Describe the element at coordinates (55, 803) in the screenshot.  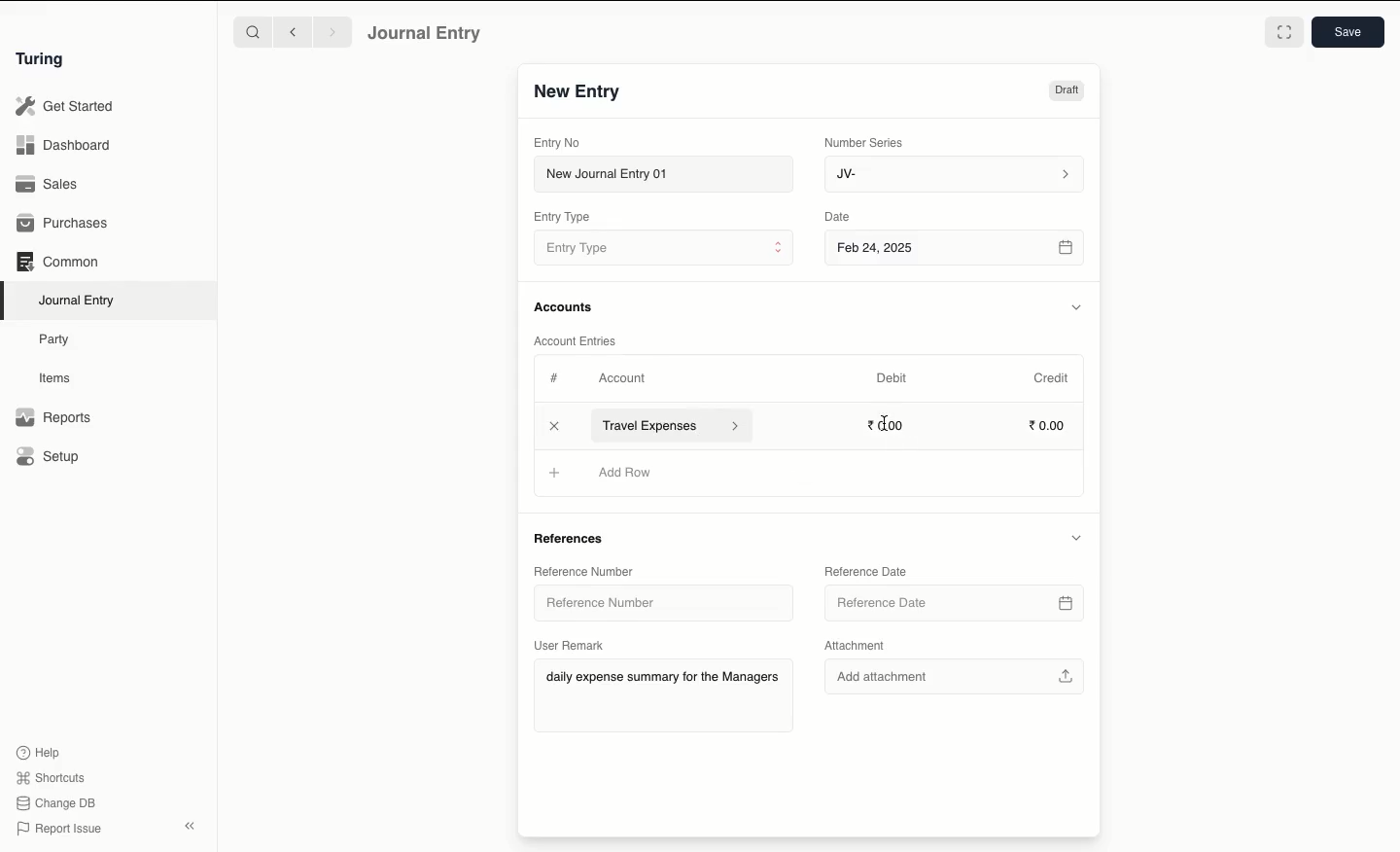
I see `Change DB` at that location.